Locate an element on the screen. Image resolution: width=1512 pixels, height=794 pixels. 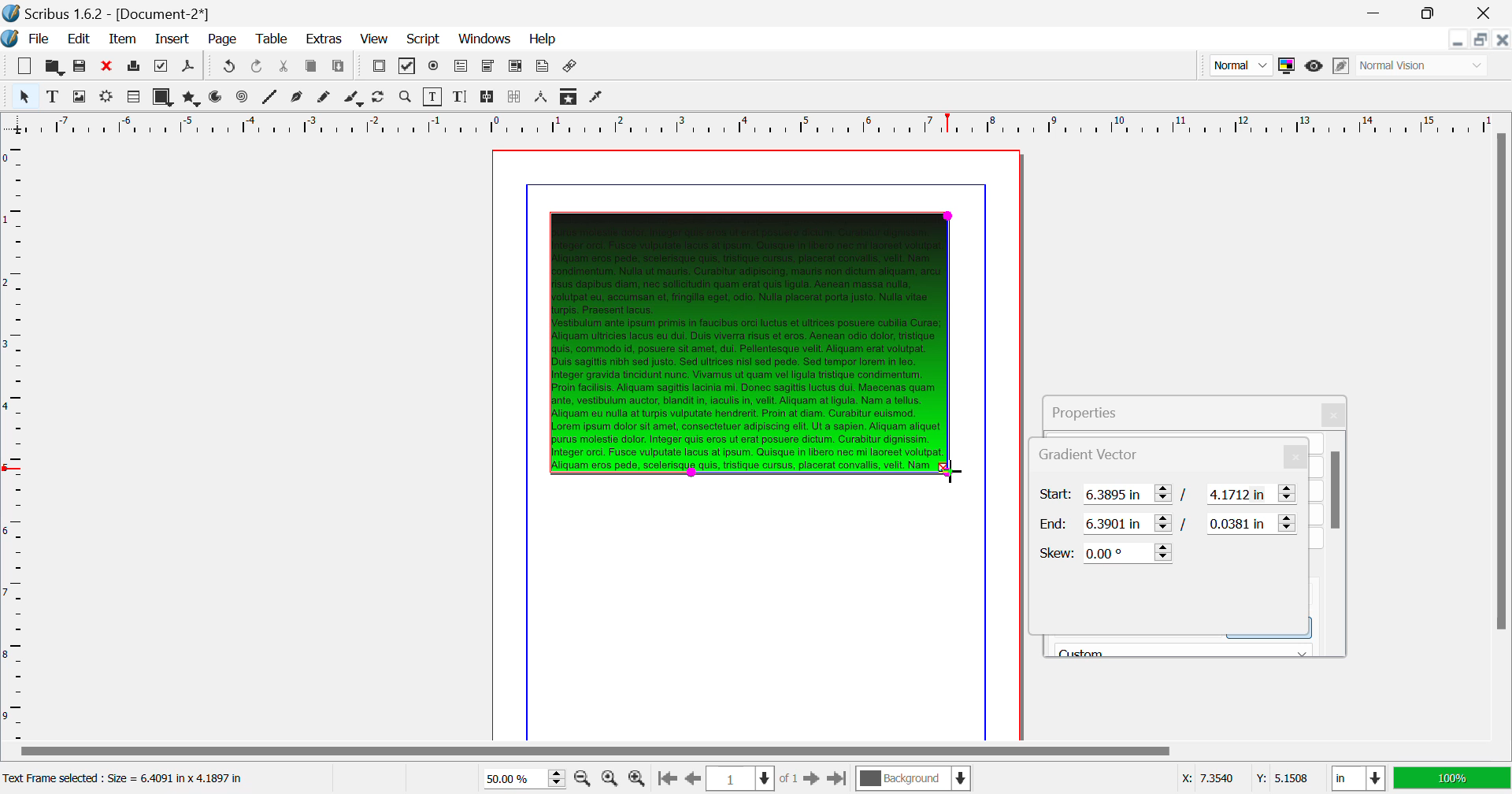
Pdf Combo Box is located at coordinates (487, 67).